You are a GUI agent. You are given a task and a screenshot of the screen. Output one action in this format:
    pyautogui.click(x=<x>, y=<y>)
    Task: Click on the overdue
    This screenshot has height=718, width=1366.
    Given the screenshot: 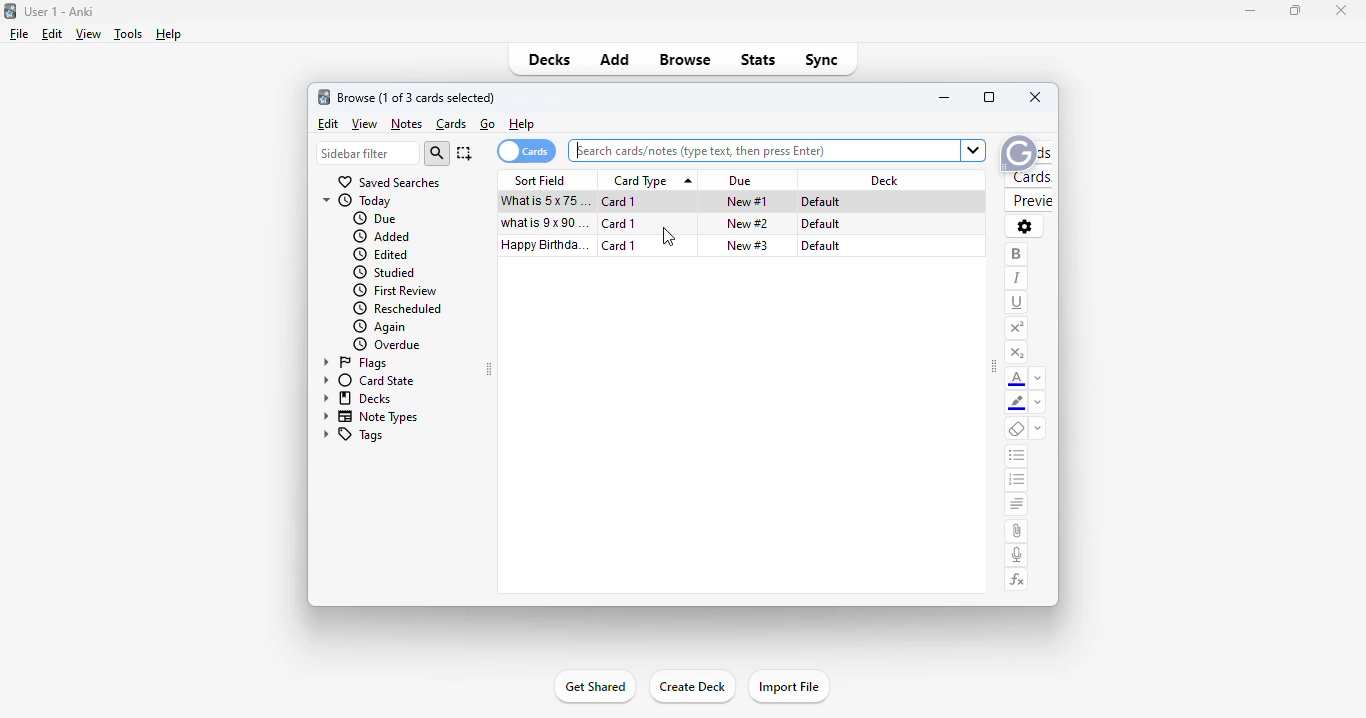 What is the action you would take?
    pyautogui.click(x=388, y=345)
    